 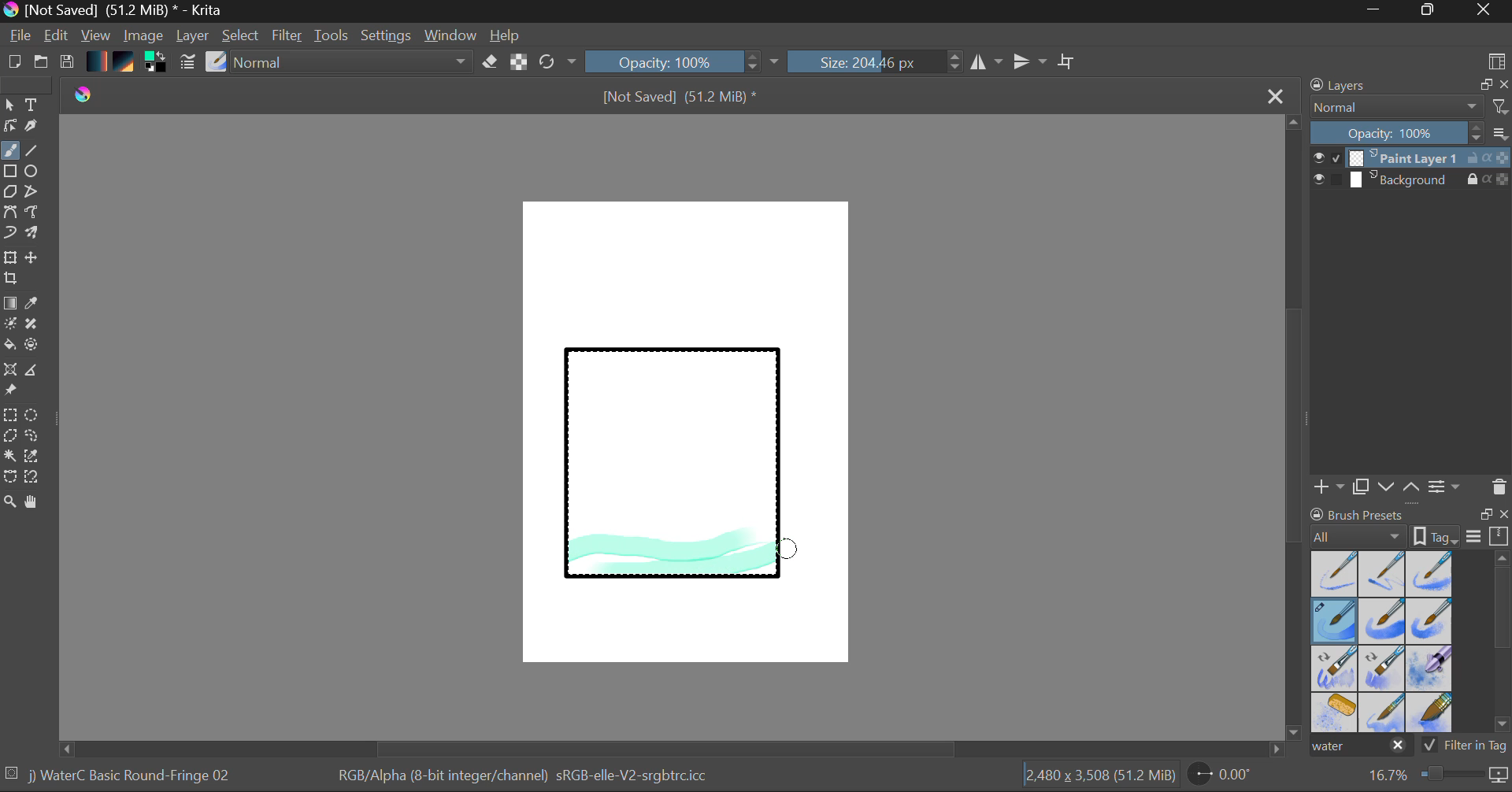 I want to click on Water C - Spread, so click(x=1384, y=712).